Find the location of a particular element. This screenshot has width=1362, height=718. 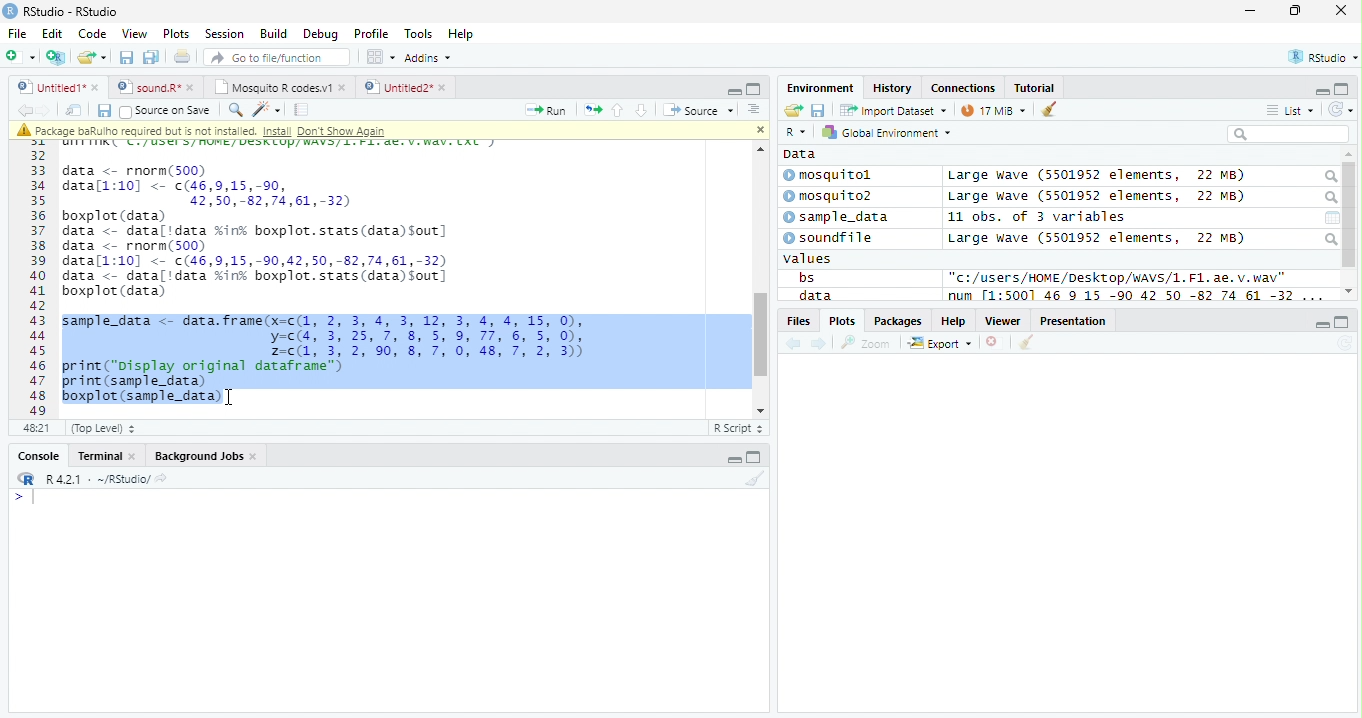

Console is located at coordinates (35, 455).